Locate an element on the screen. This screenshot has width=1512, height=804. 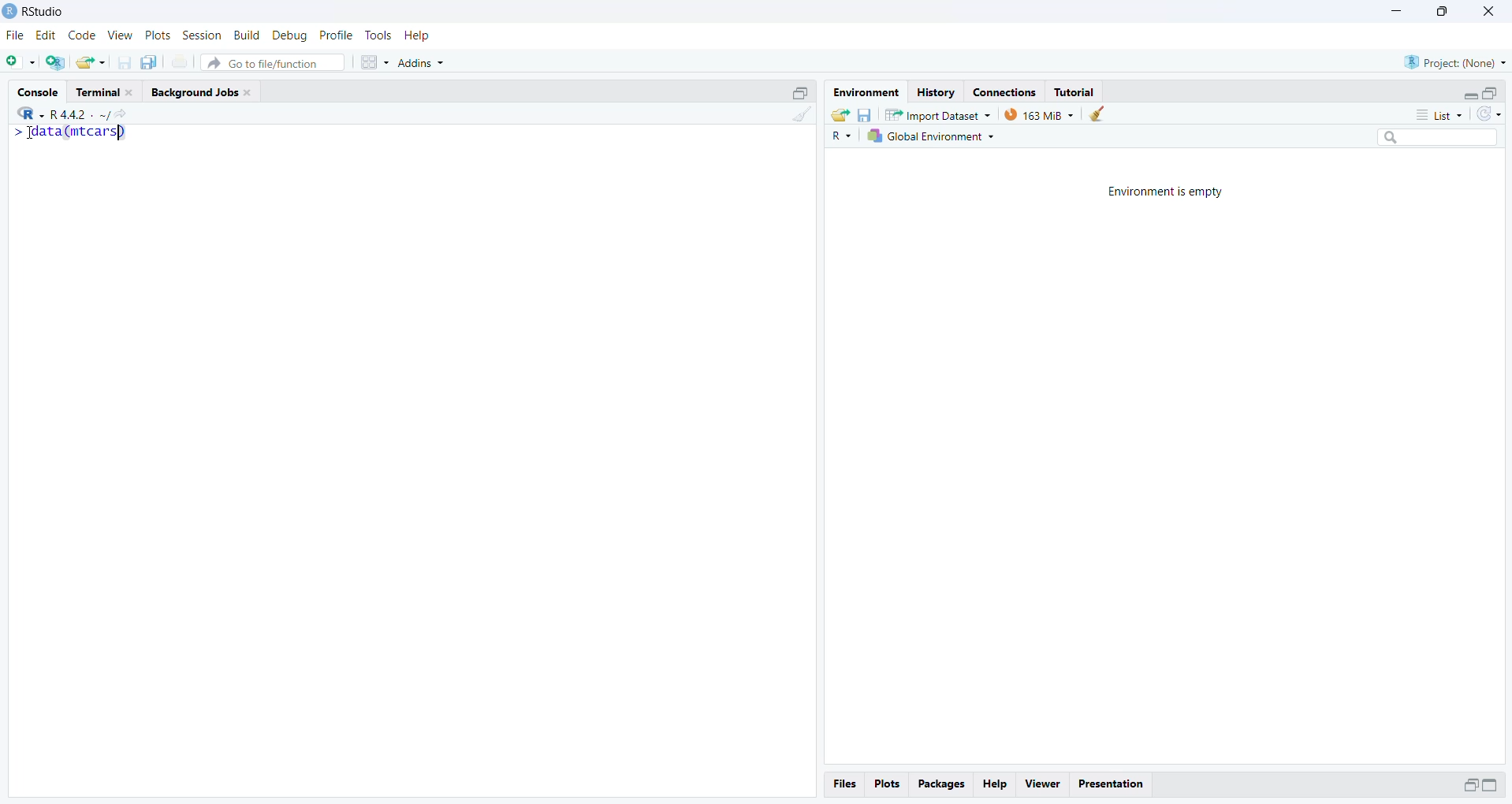
Go to file/function is located at coordinates (271, 63).